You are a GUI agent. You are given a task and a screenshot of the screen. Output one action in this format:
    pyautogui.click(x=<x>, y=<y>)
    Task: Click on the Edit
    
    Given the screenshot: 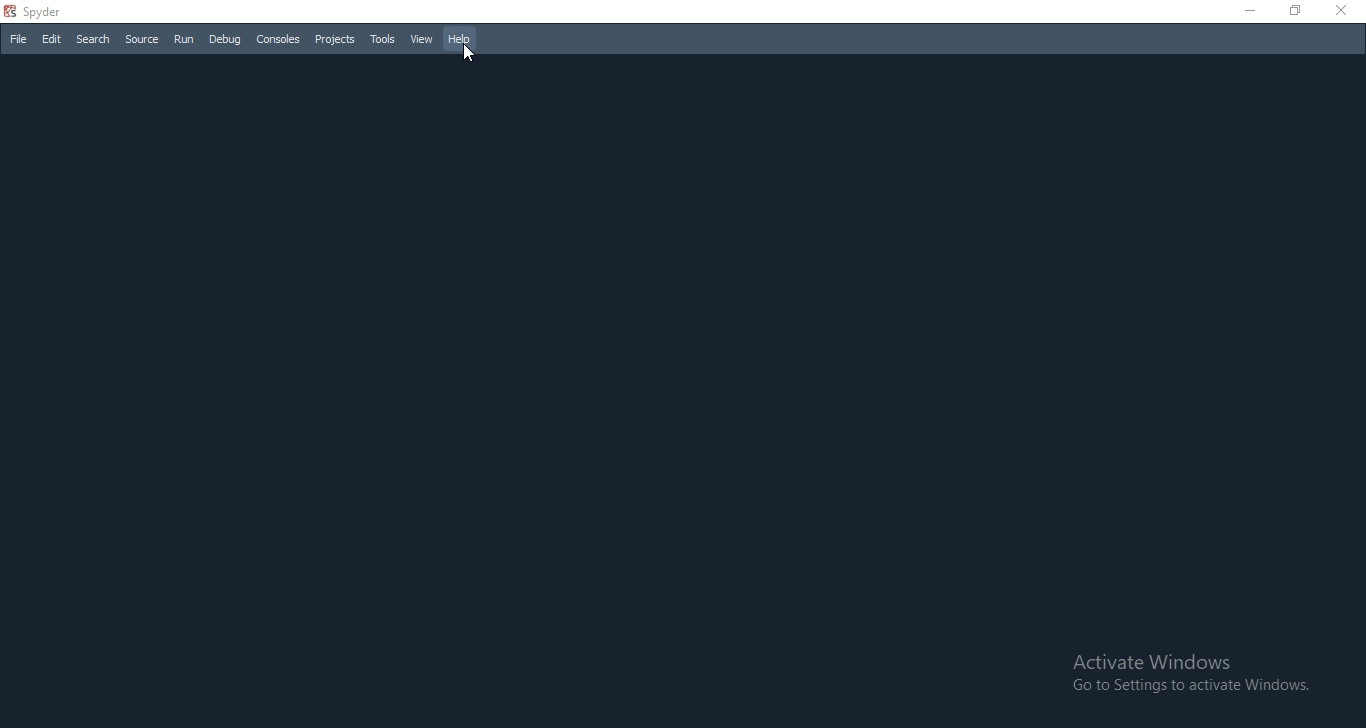 What is the action you would take?
    pyautogui.click(x=51, y=40)
    